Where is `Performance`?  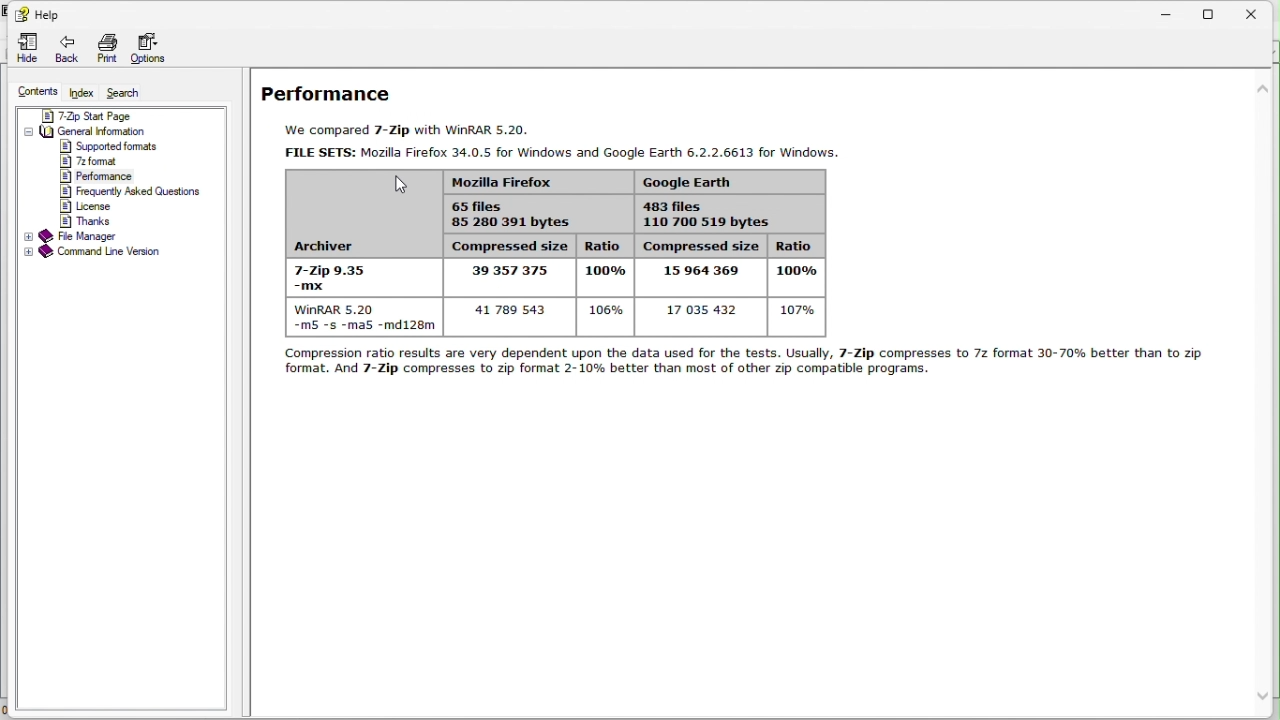 Performance is located at coordinates (96, 177).